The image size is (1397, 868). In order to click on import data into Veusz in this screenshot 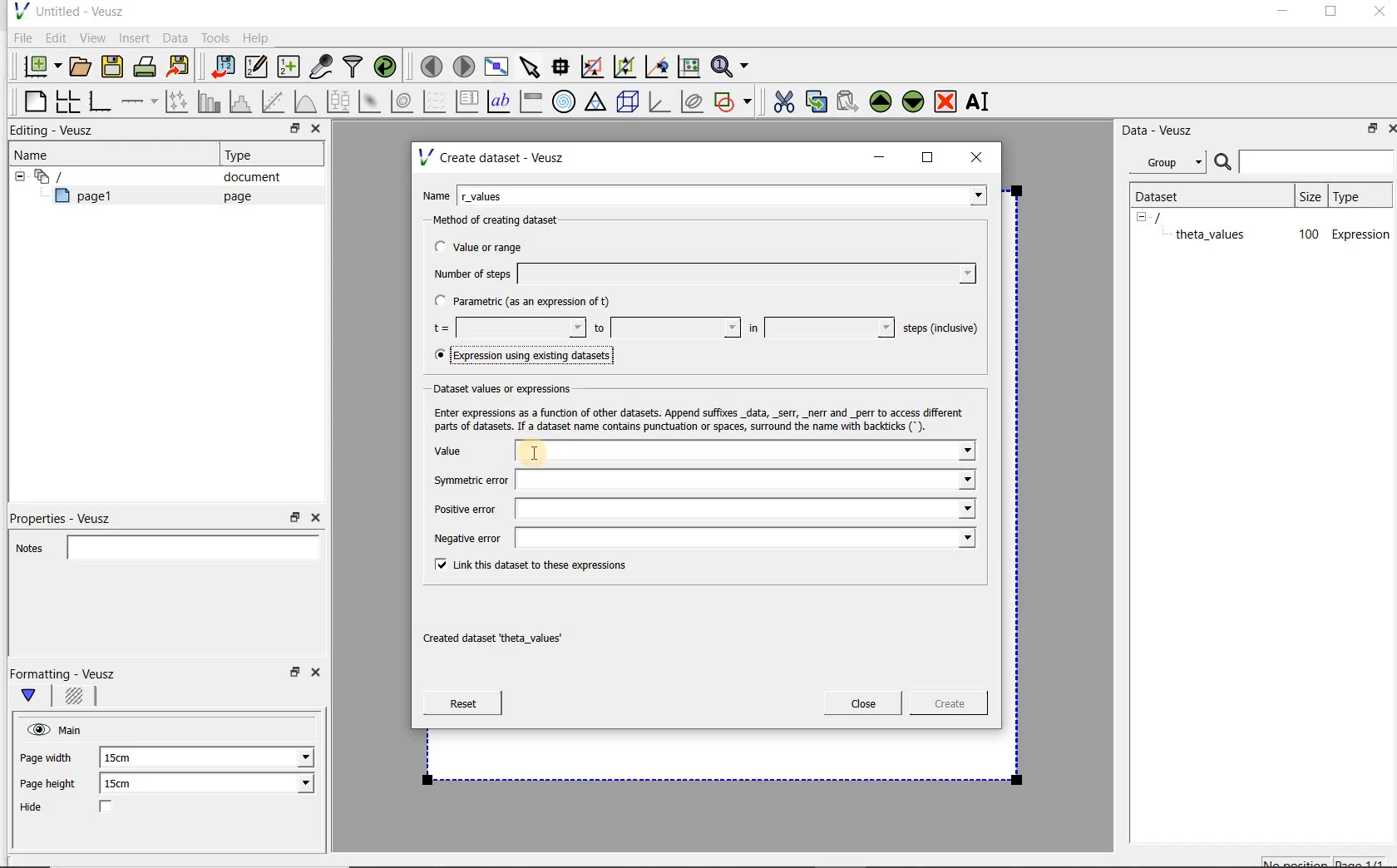, I will do `click(221, 67)`.